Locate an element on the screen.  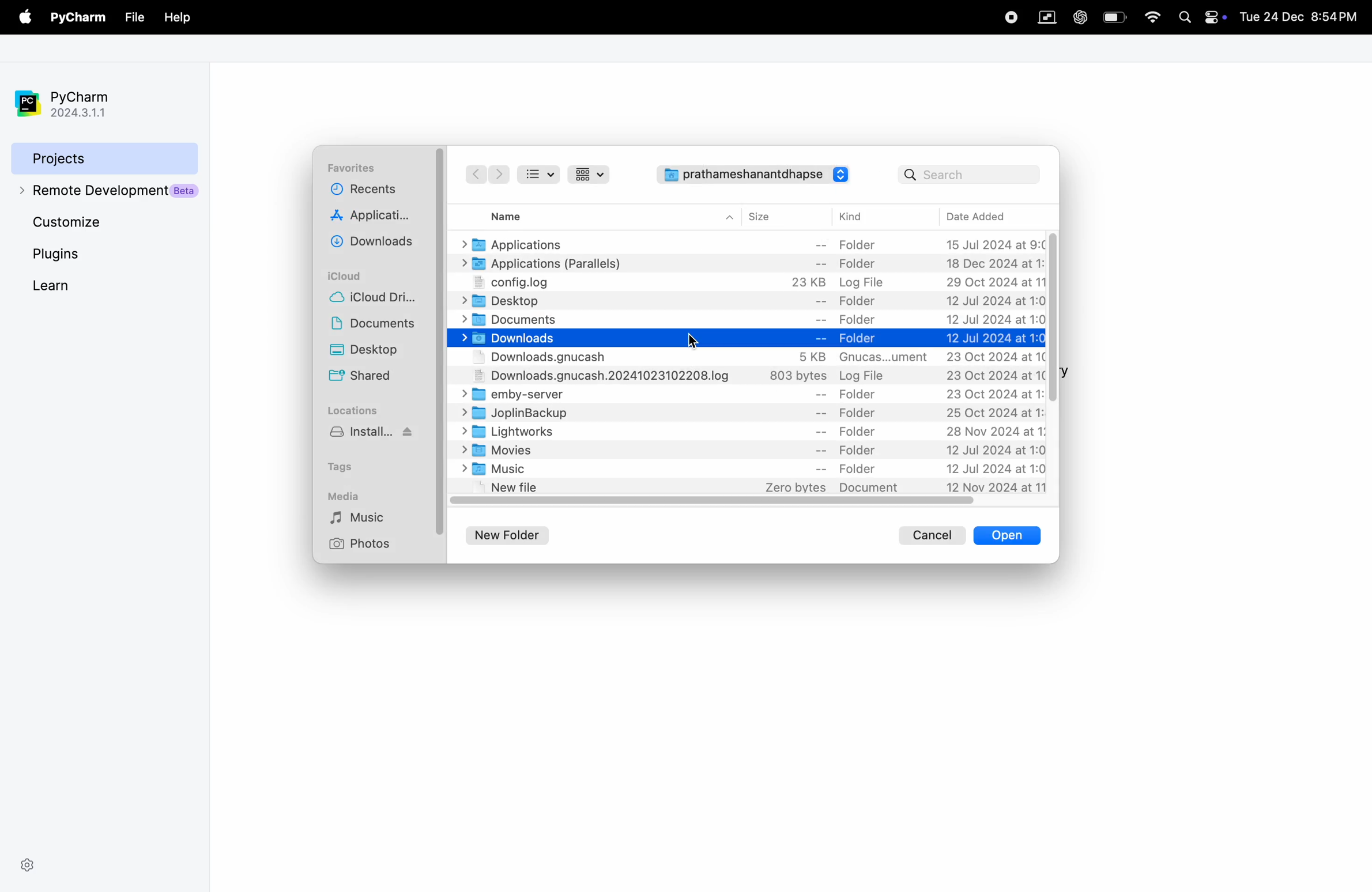
emby server is located at coordinates (751, 396).